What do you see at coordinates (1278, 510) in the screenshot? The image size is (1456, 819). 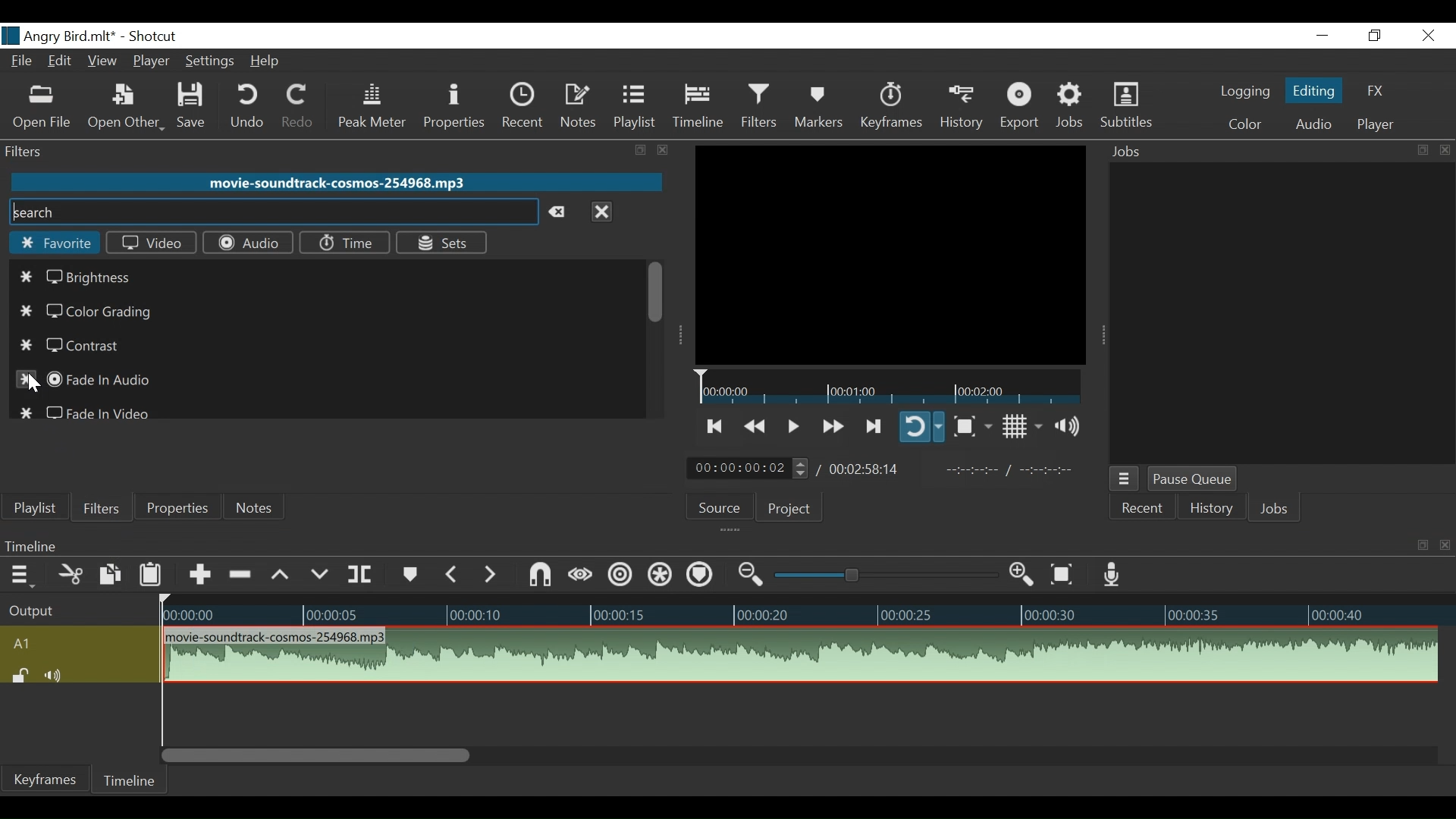 I see `Jobs` at bounding box center [1278, 510].